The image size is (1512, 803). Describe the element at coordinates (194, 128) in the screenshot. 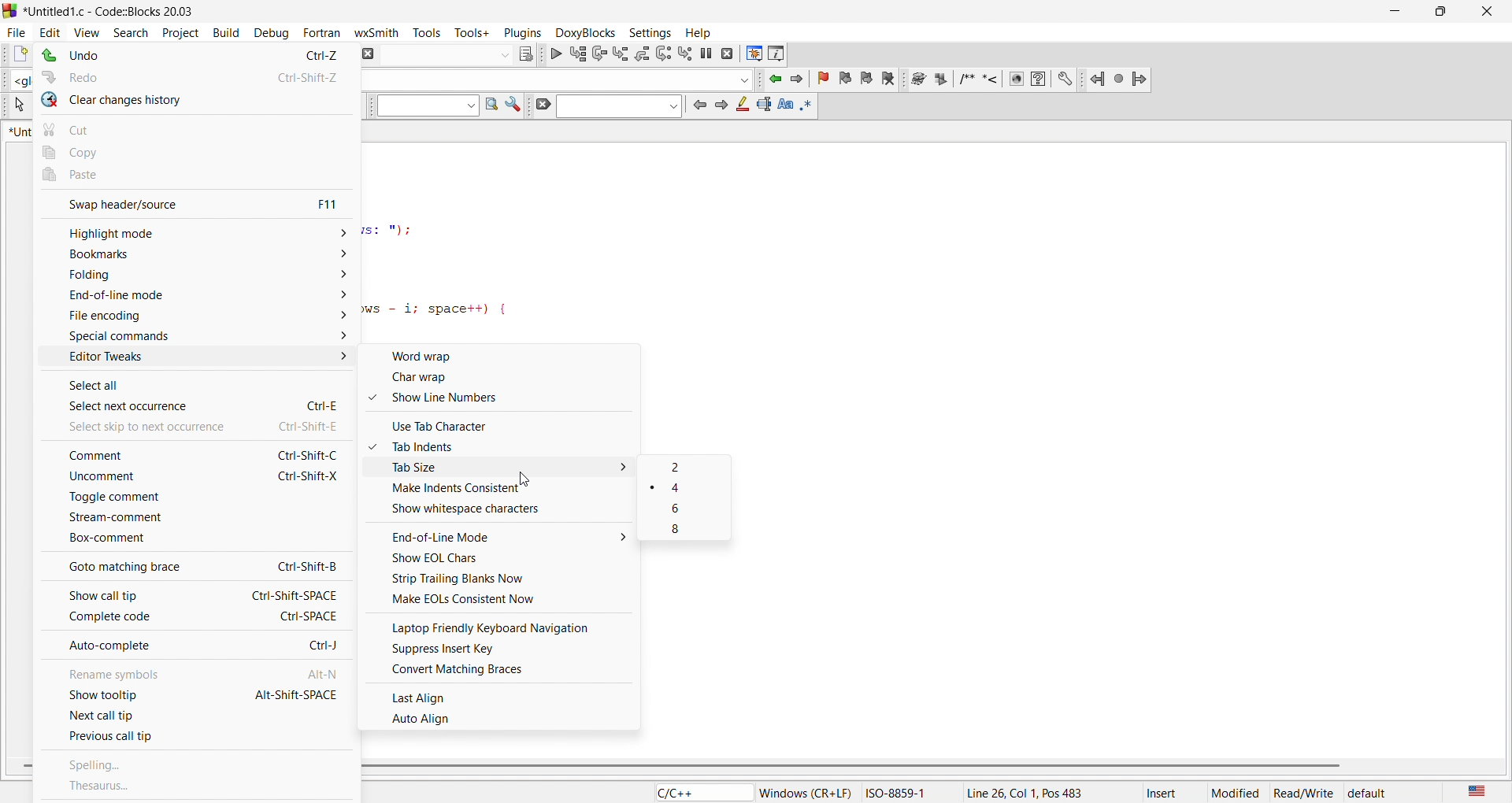

I see `cut` at that location.